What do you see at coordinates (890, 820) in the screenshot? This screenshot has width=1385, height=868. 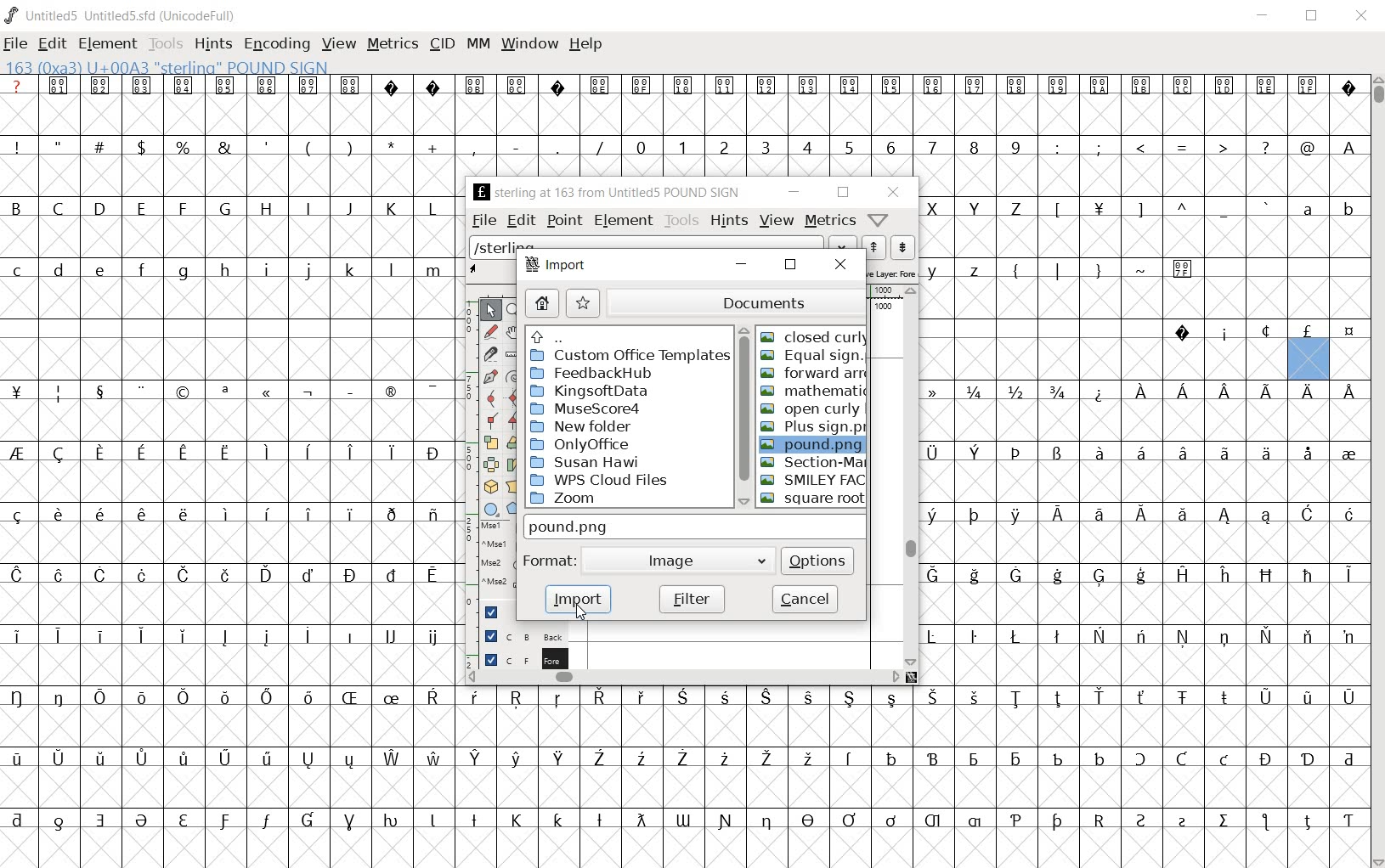 I see `Symbol` at bounding box center [890, 820].